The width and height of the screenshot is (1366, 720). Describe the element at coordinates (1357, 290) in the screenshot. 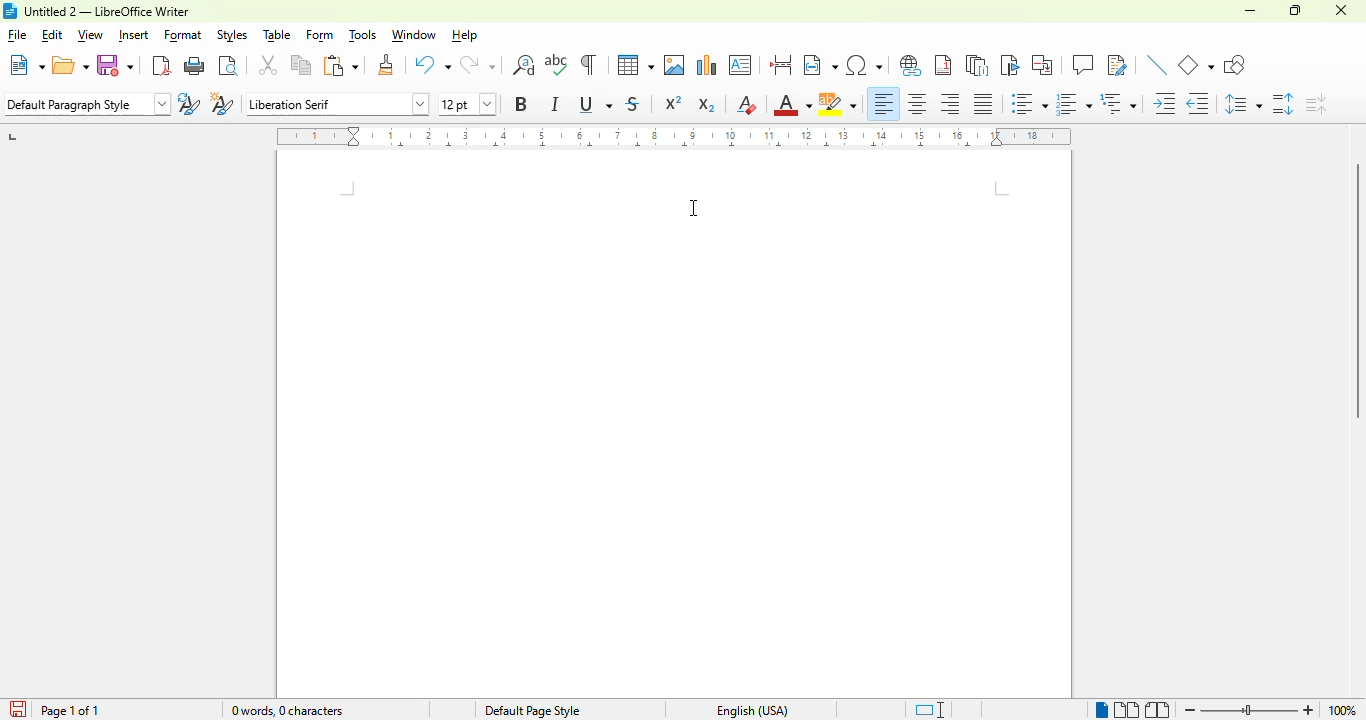

I see `vertical scroll bar` at that location.